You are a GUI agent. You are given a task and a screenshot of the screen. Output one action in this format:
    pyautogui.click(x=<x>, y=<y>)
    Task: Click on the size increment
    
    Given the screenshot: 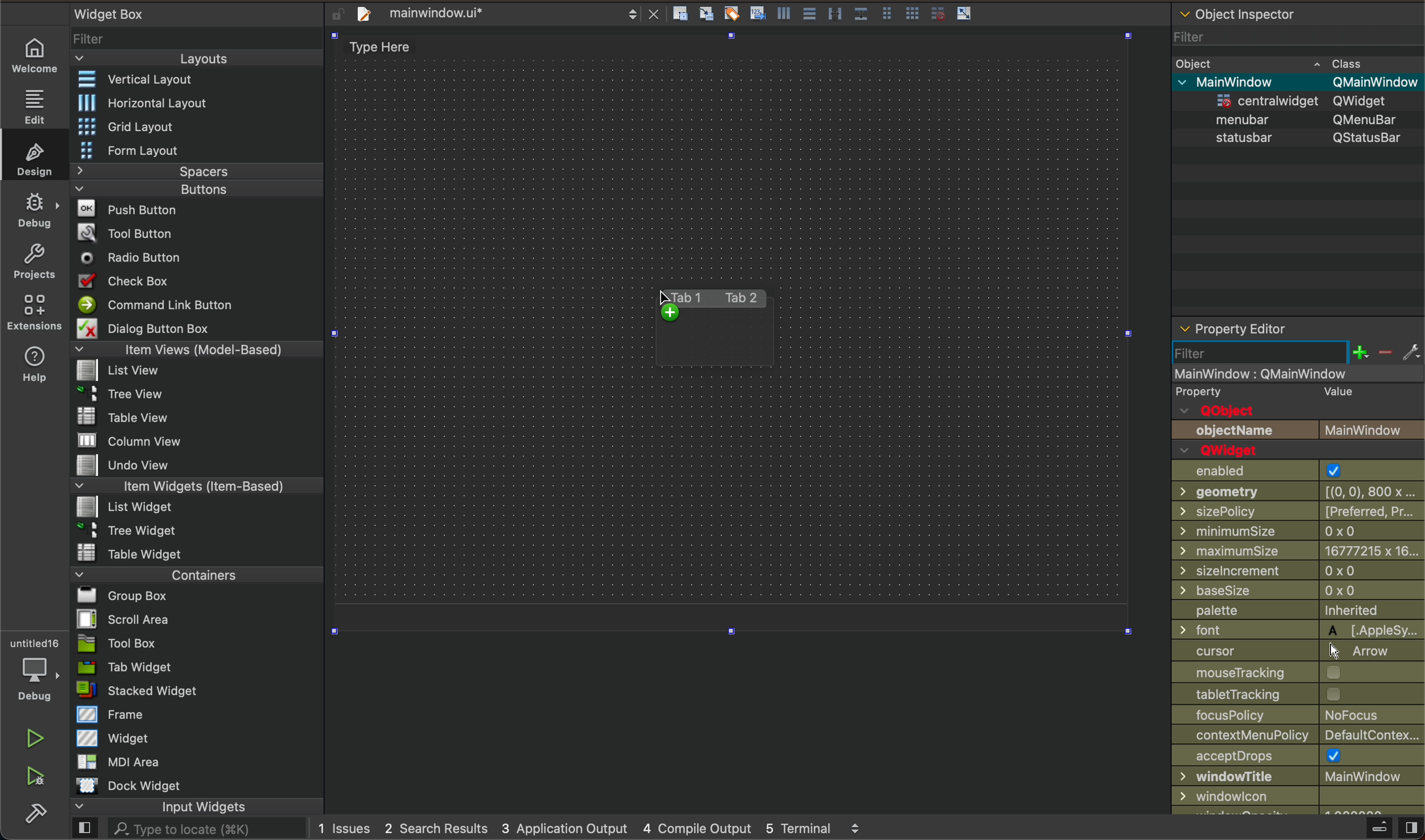 What is the action you would take?
    pyautogui.click(x=1298, y=571)
    